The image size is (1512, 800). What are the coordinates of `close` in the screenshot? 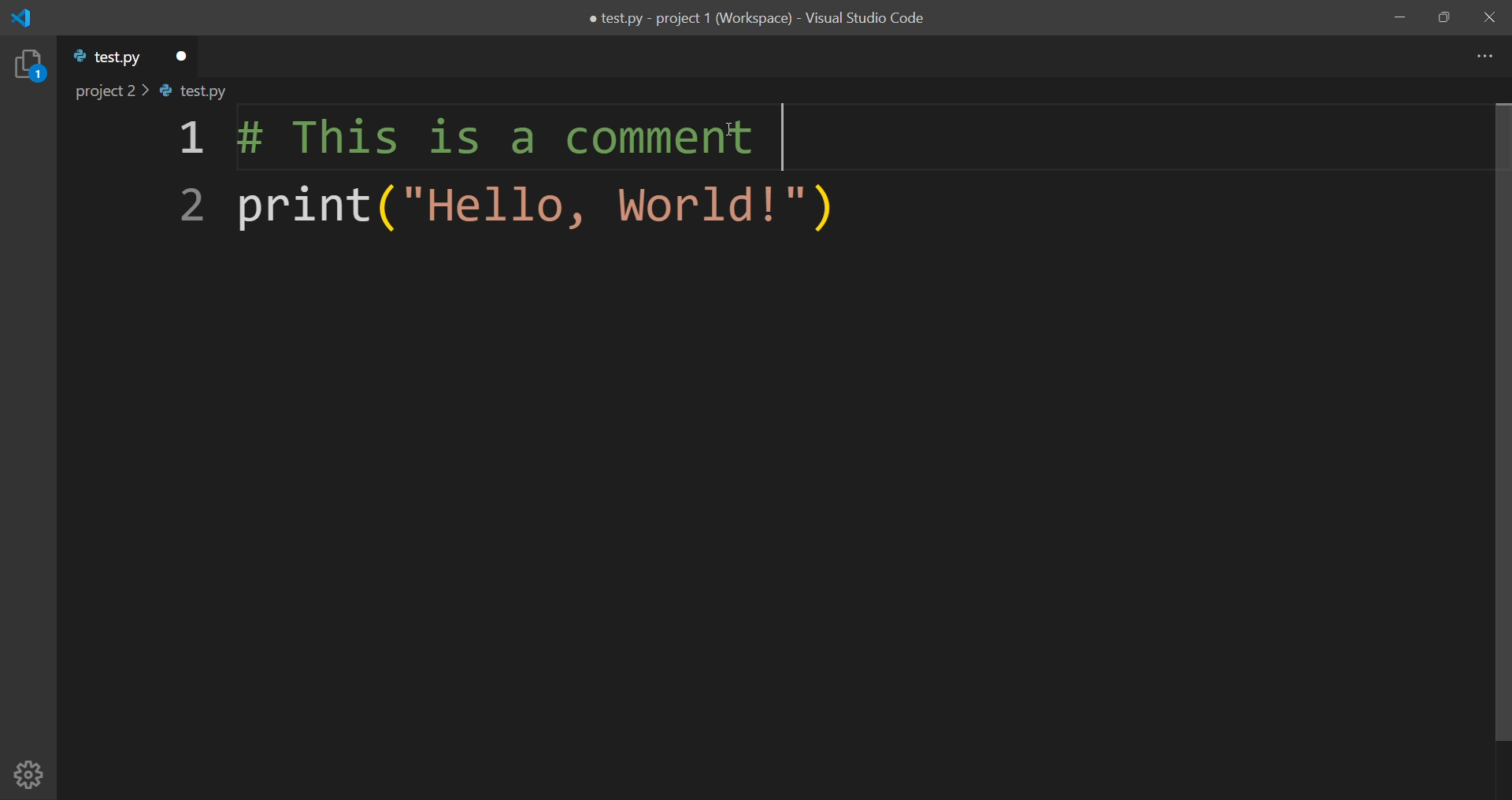 It's located at (1487, 17).